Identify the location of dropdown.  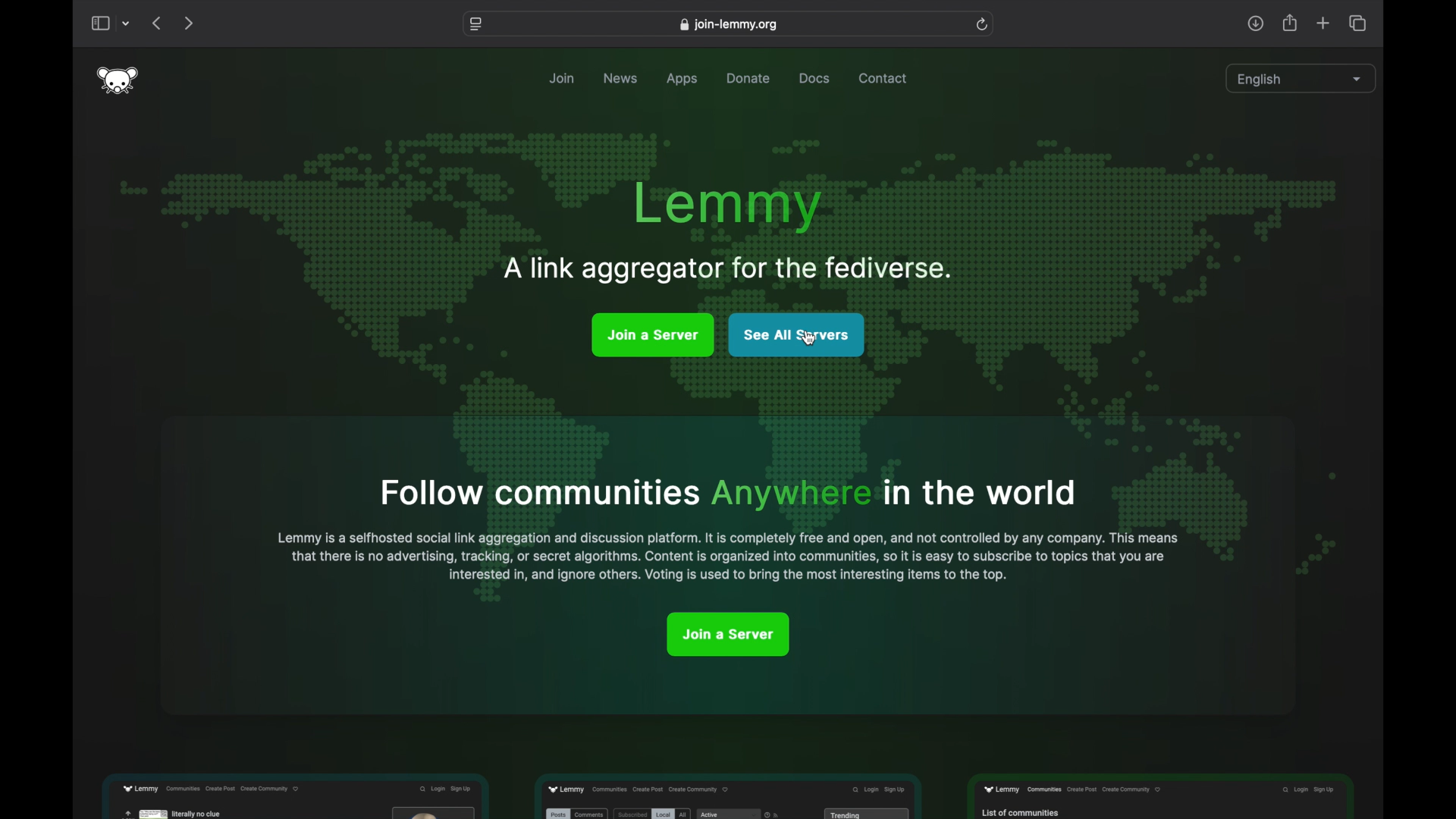
(127, 24).